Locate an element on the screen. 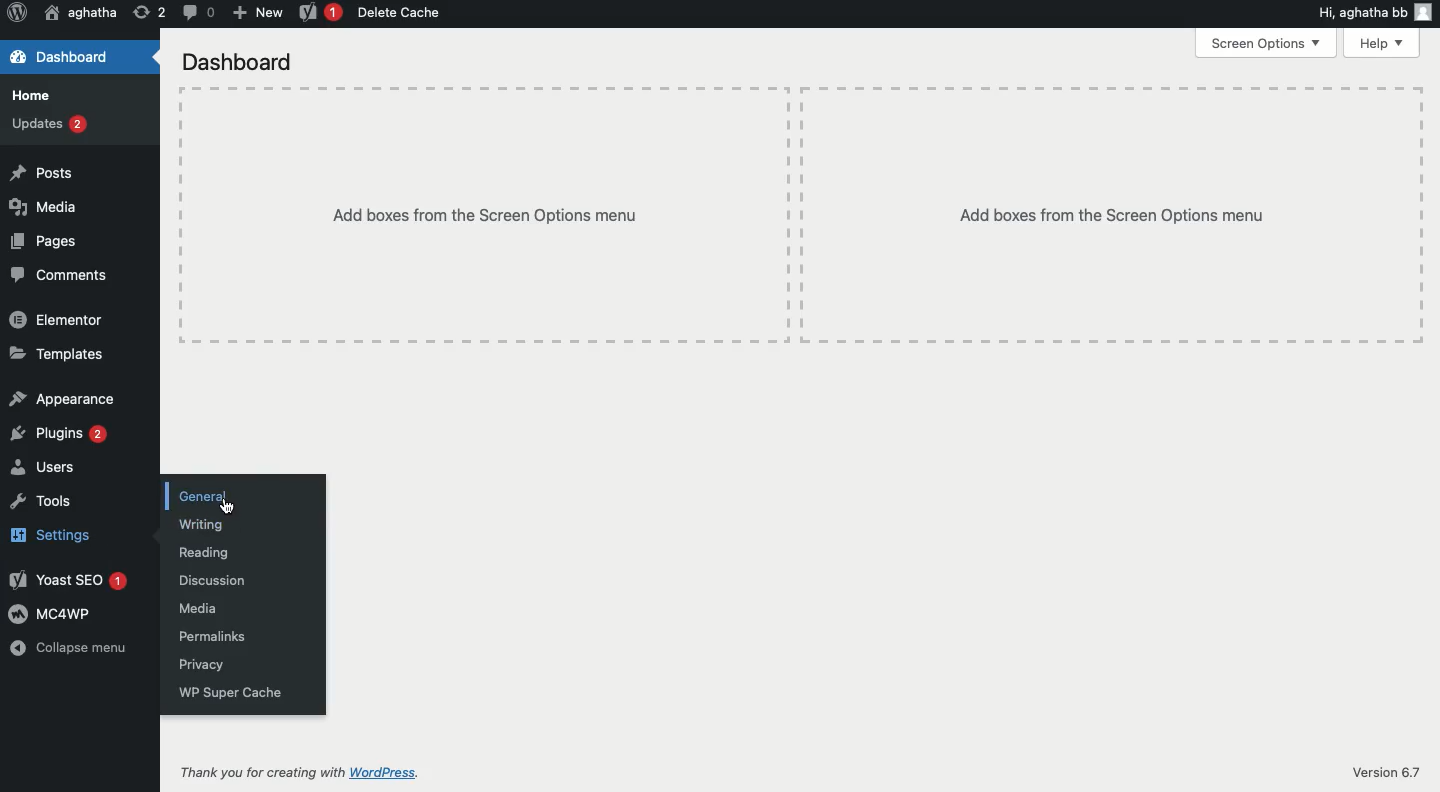 The height and width of the screenshot is (792, 1440). Pages is located at coordinates (41, 244).